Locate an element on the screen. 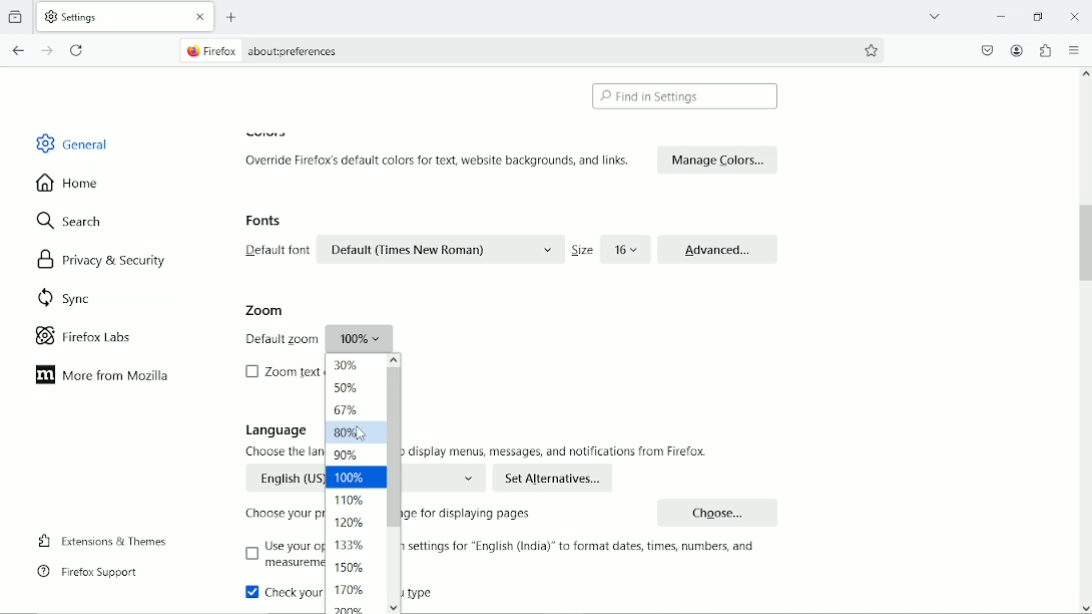  200% is located at coordinates (351, 608).